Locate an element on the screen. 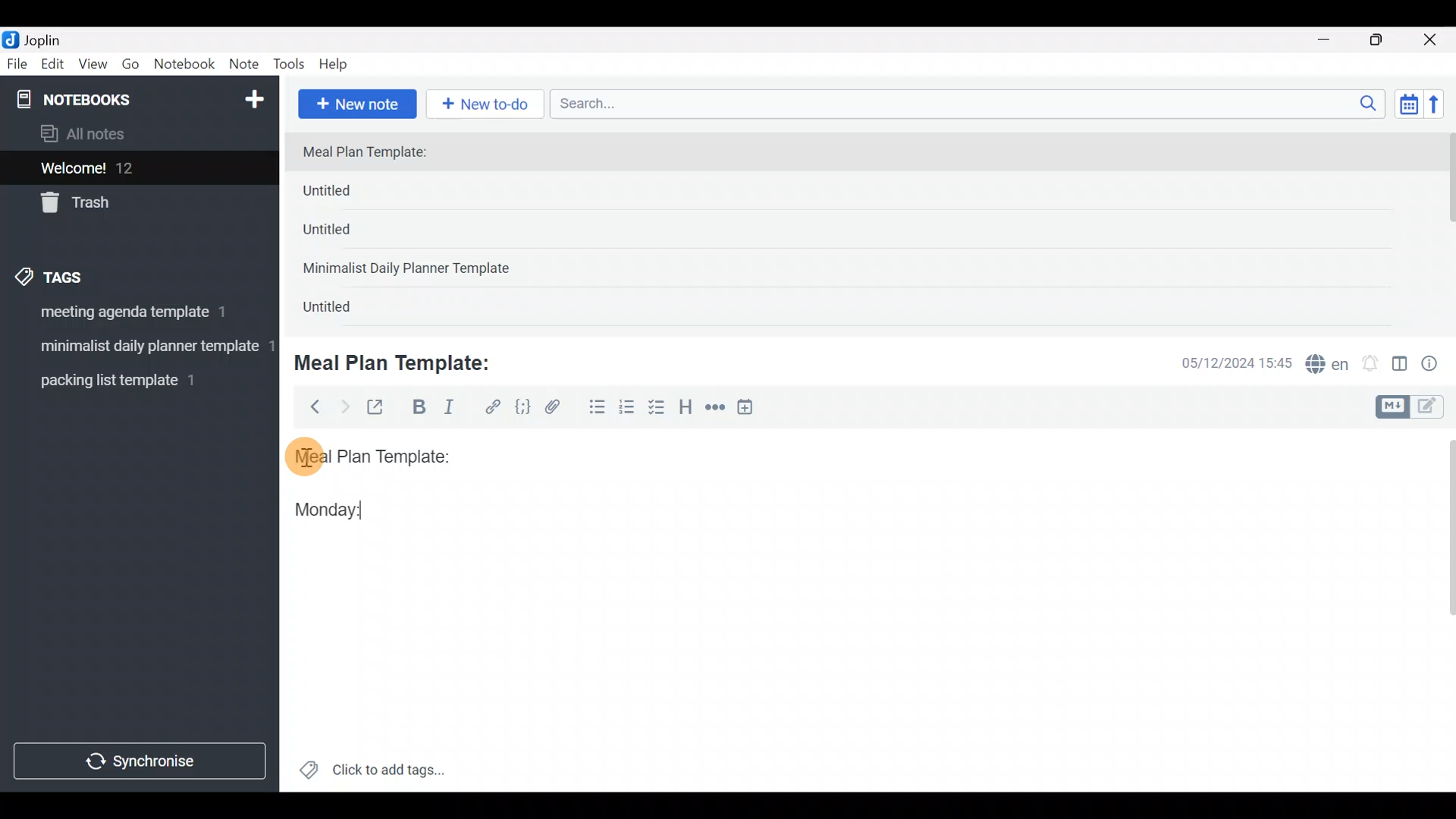  Untitled is located at coordinates (352, 194).